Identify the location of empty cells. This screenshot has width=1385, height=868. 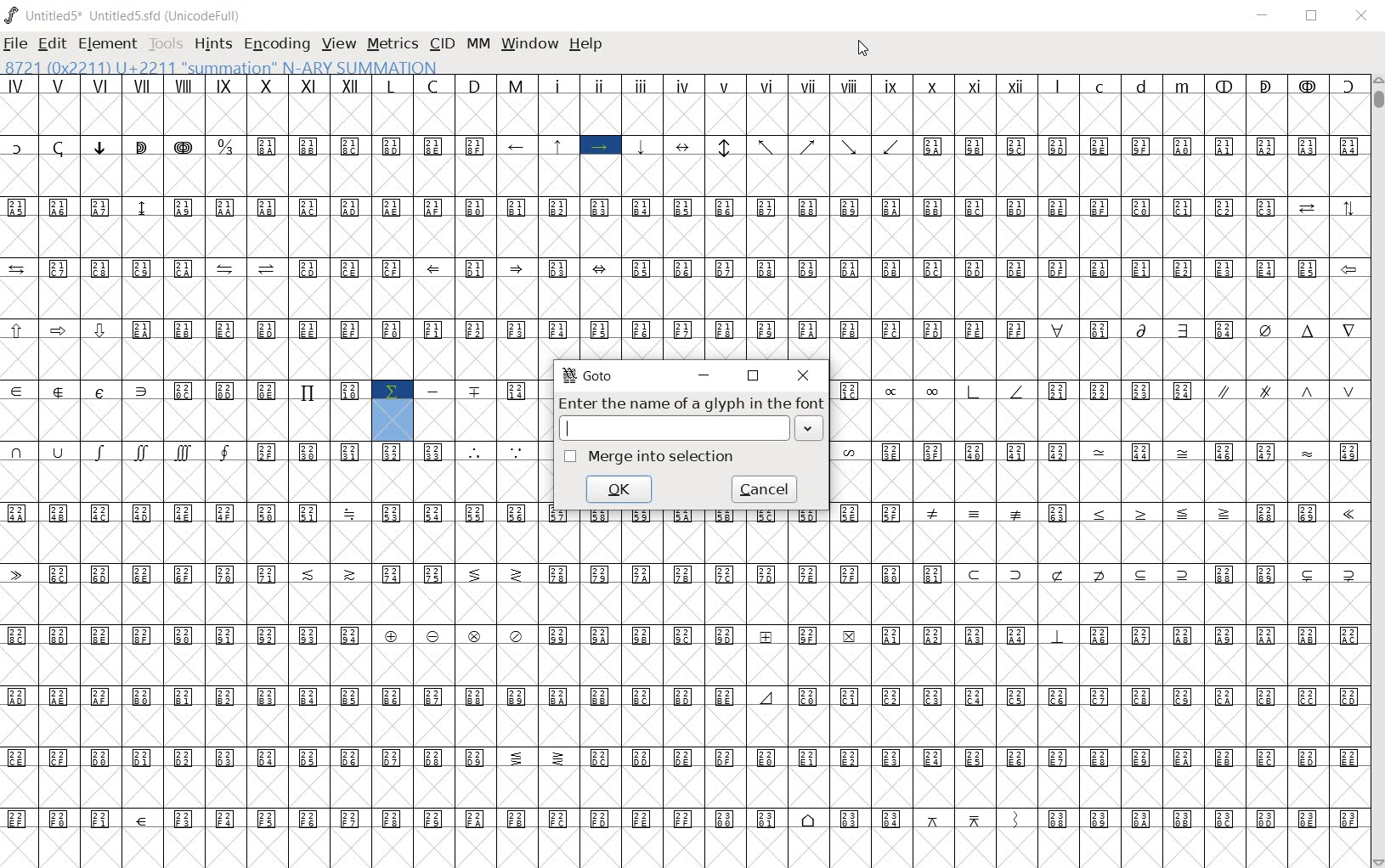
(686, 665).